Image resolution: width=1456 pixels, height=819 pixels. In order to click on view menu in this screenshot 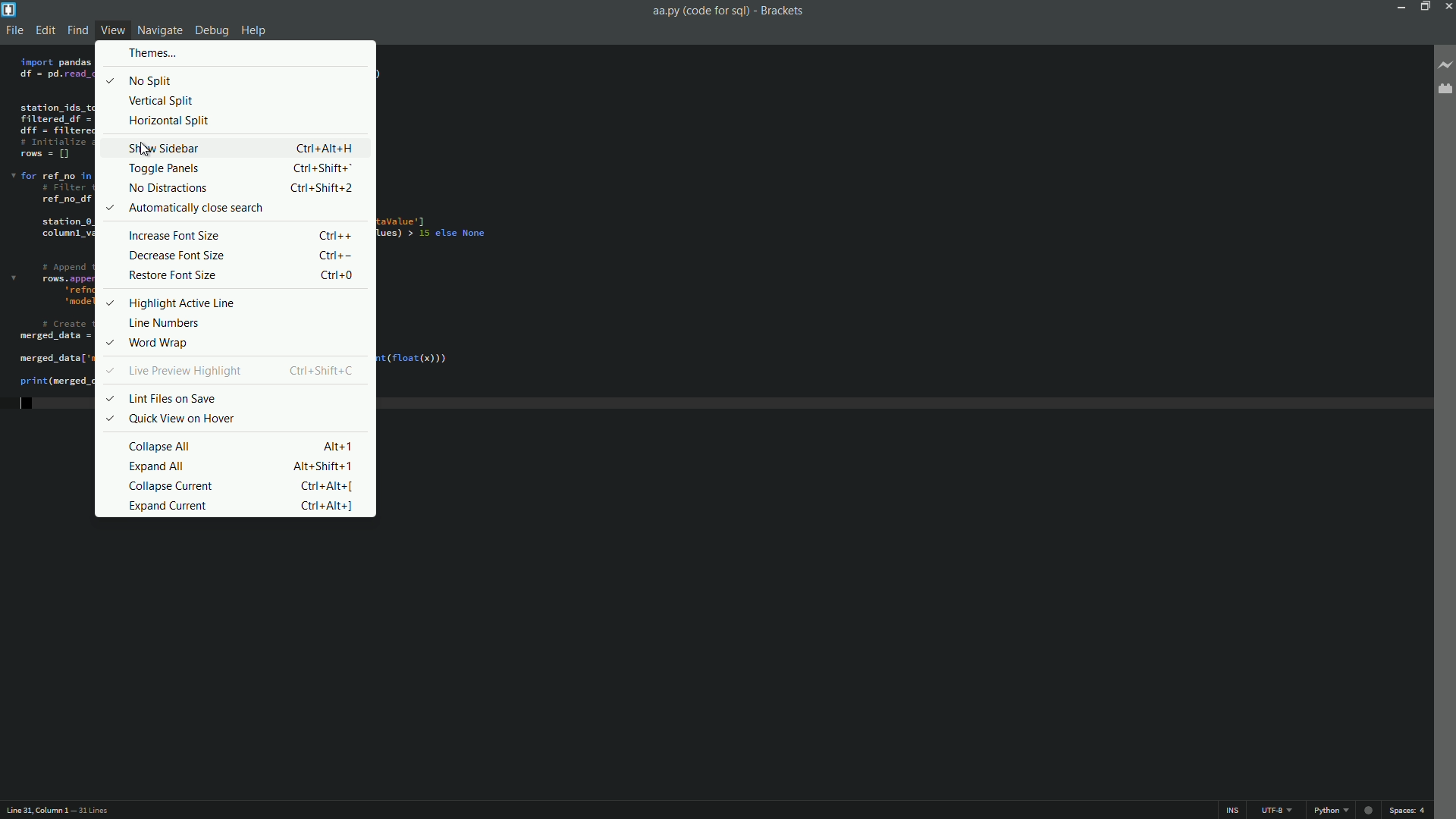, I will do `click(111, 30)`.